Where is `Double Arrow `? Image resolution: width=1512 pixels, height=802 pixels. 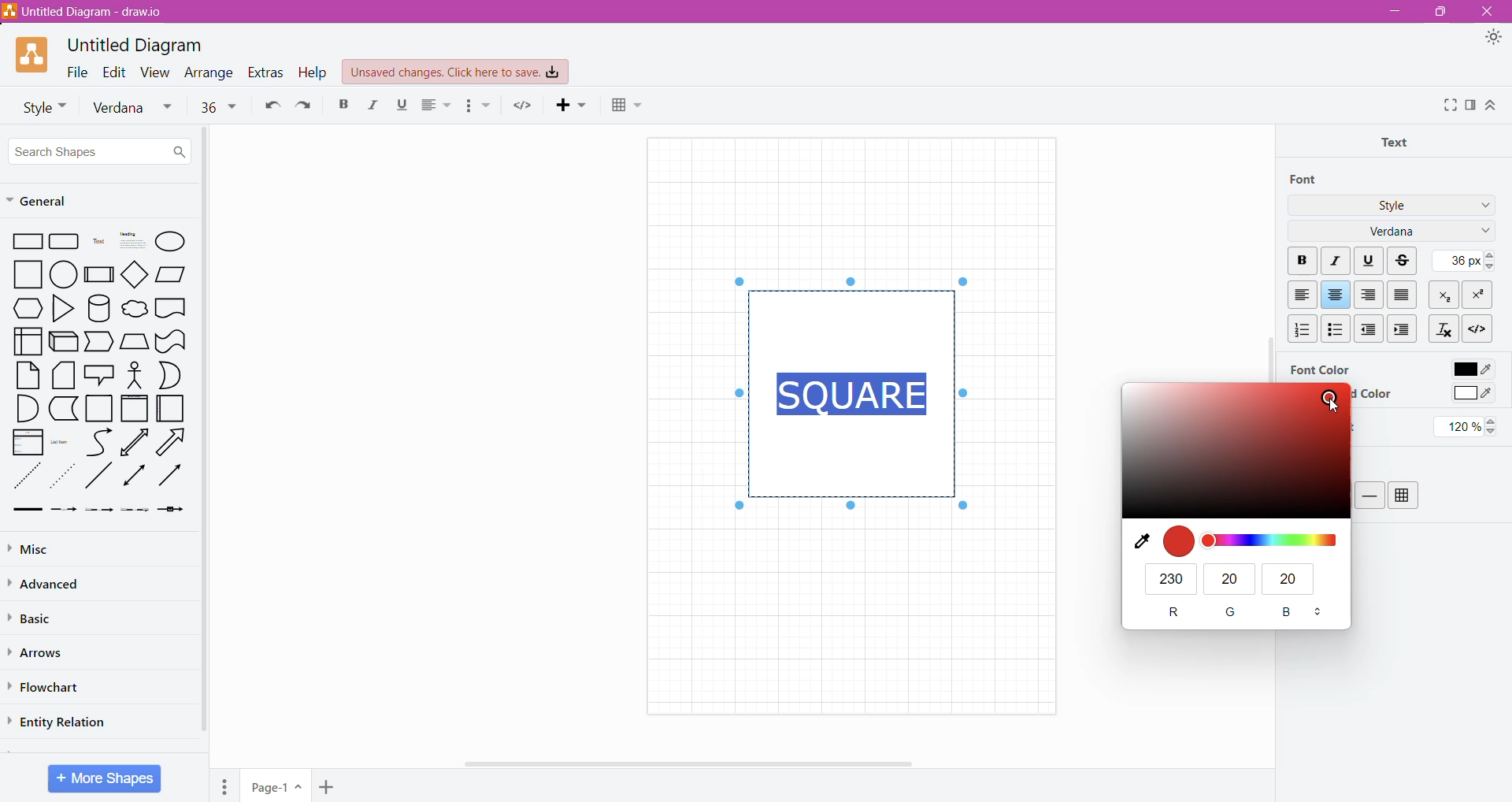
Double Arrow  is located at coordinates (135, 477).